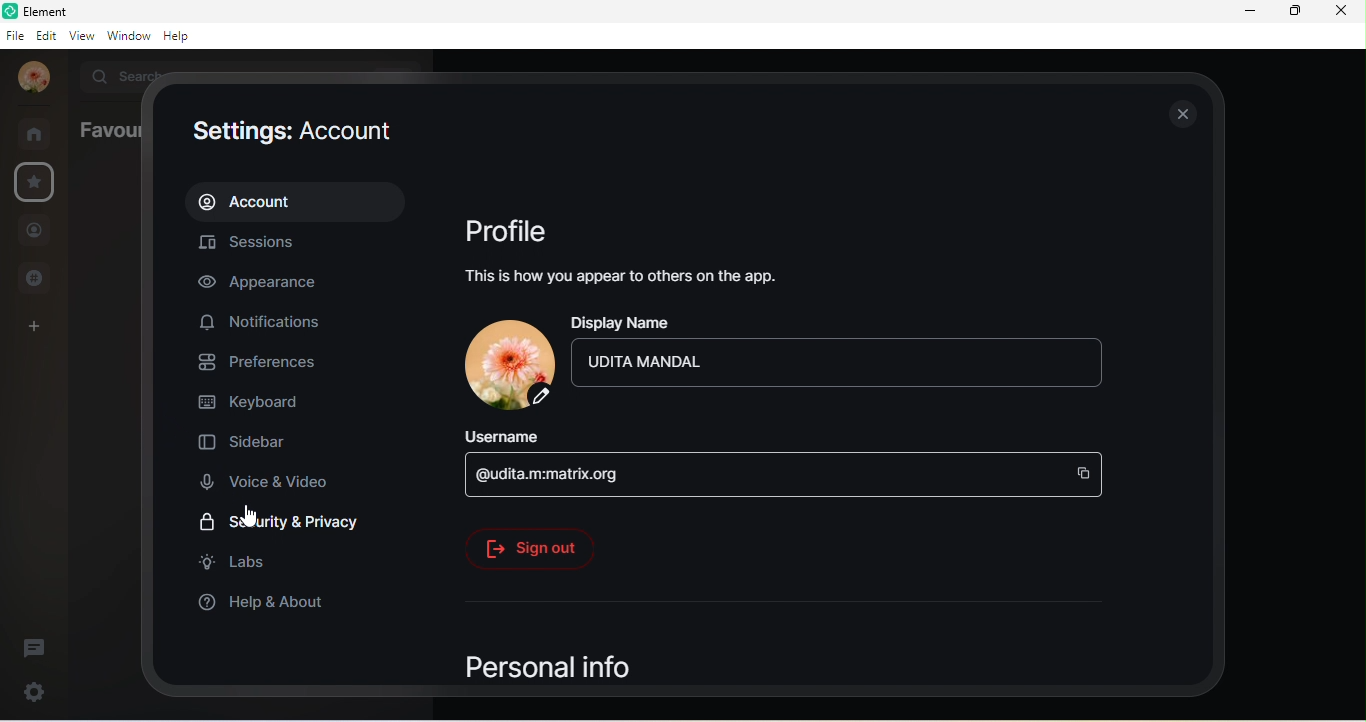  Describe the element at coordinates (841, 362) in the screenshot. I see `udita mandal` at that location.